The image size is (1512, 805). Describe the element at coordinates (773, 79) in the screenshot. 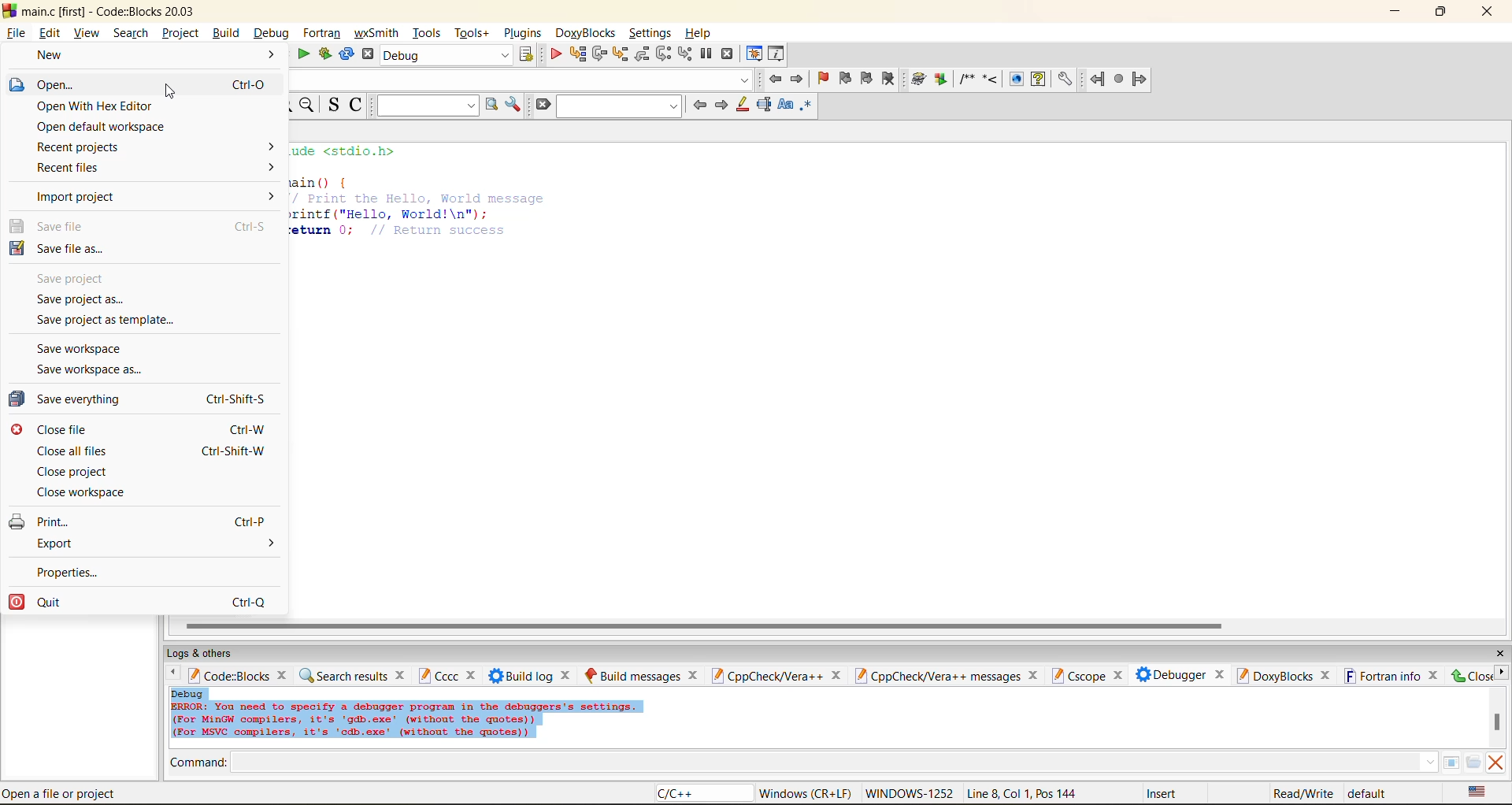

I see `jump back` at that location.